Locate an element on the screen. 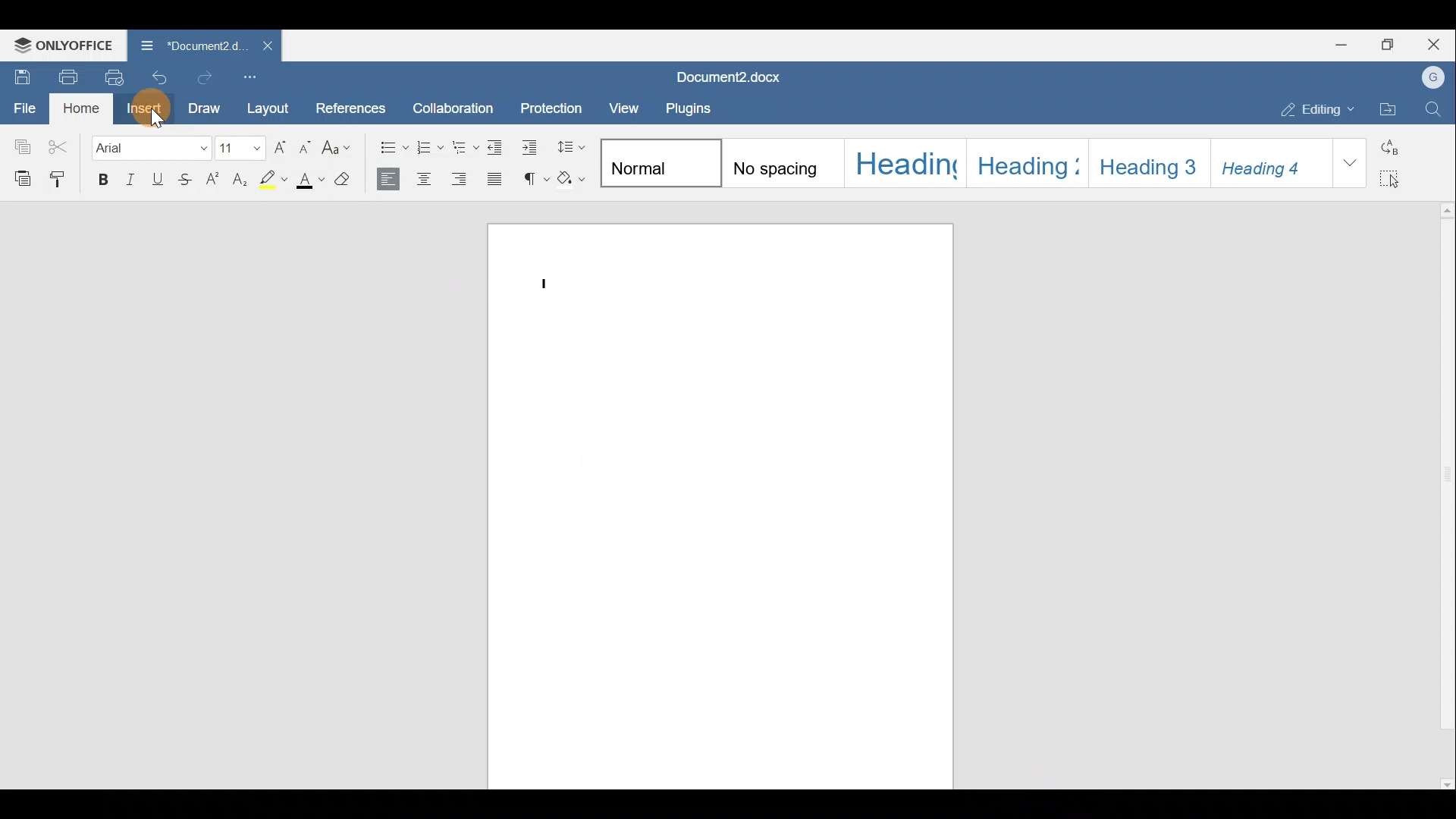 This screenshot has width=1456, height=819. References is located at coordinates (349, 108).